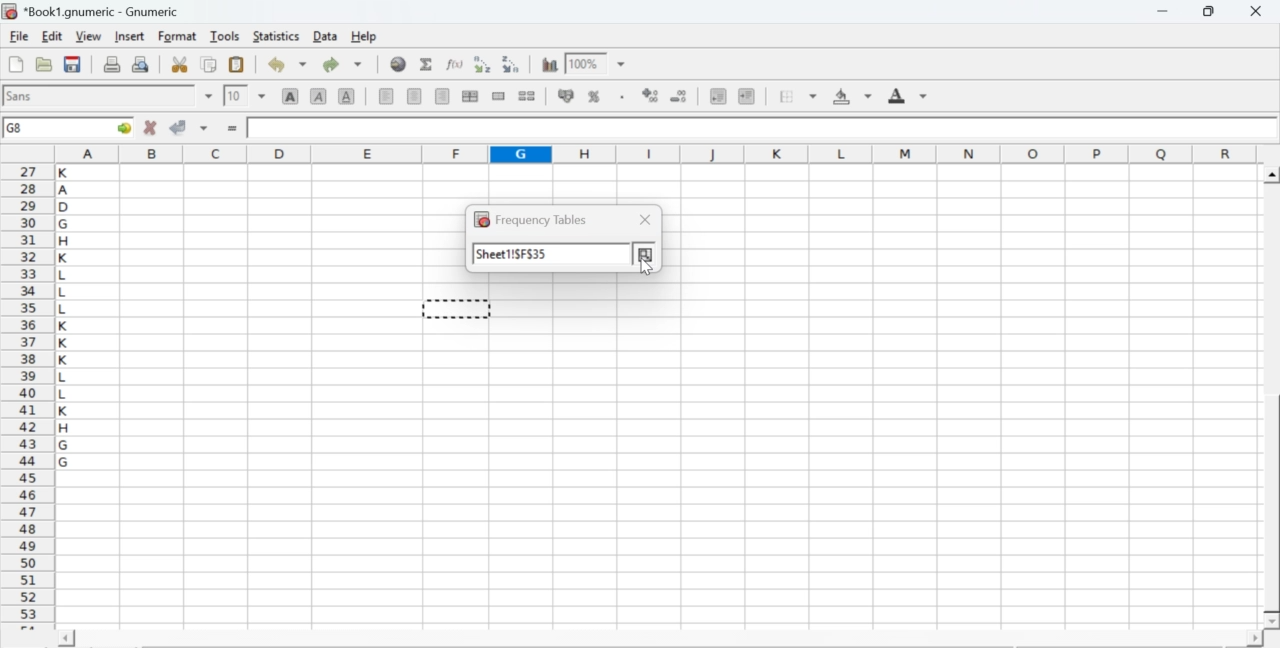 This screenshot has width=1280, height=648. I want to click on format, so click(178, 36).